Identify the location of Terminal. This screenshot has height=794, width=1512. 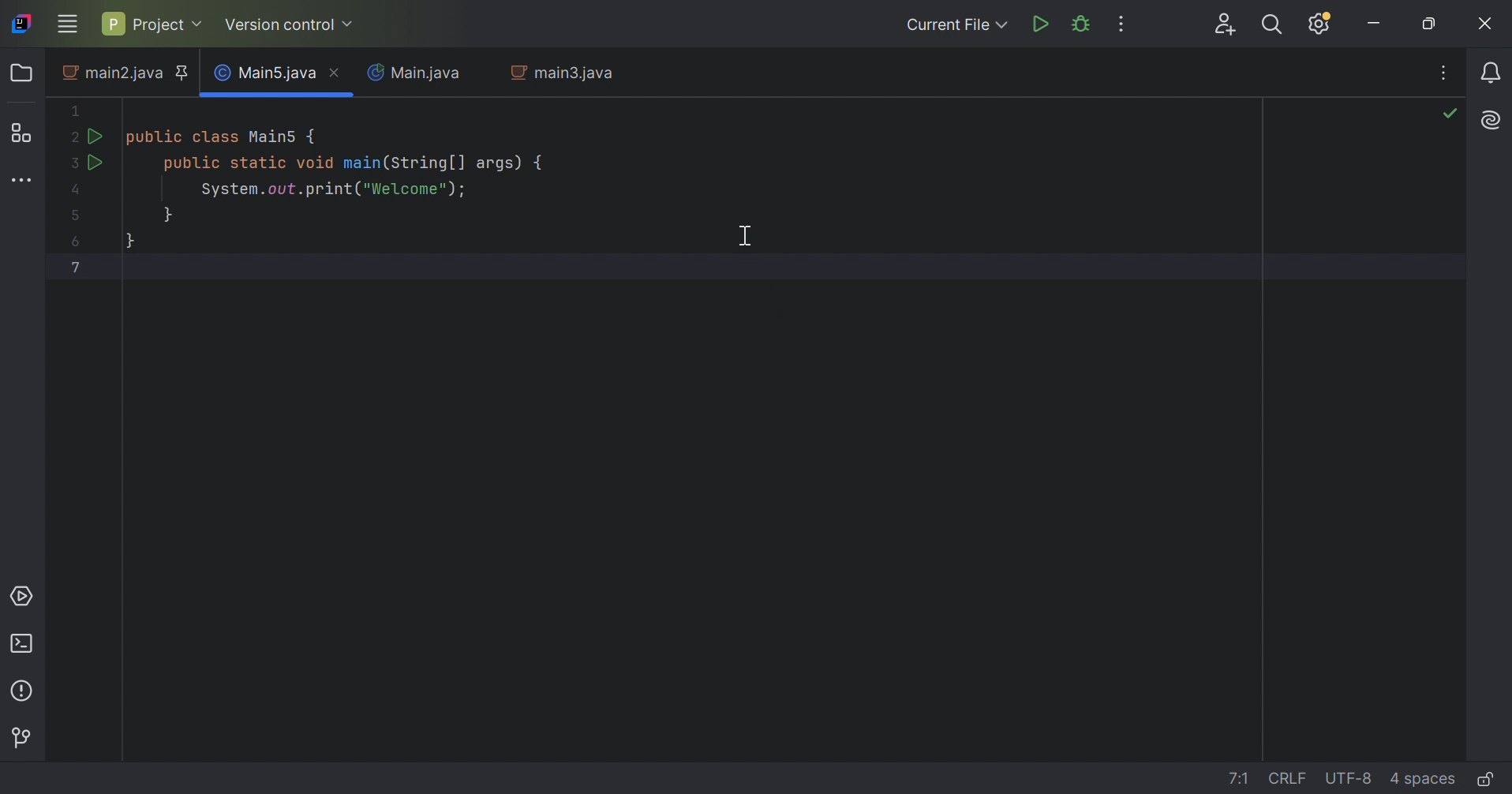
(23, 643).